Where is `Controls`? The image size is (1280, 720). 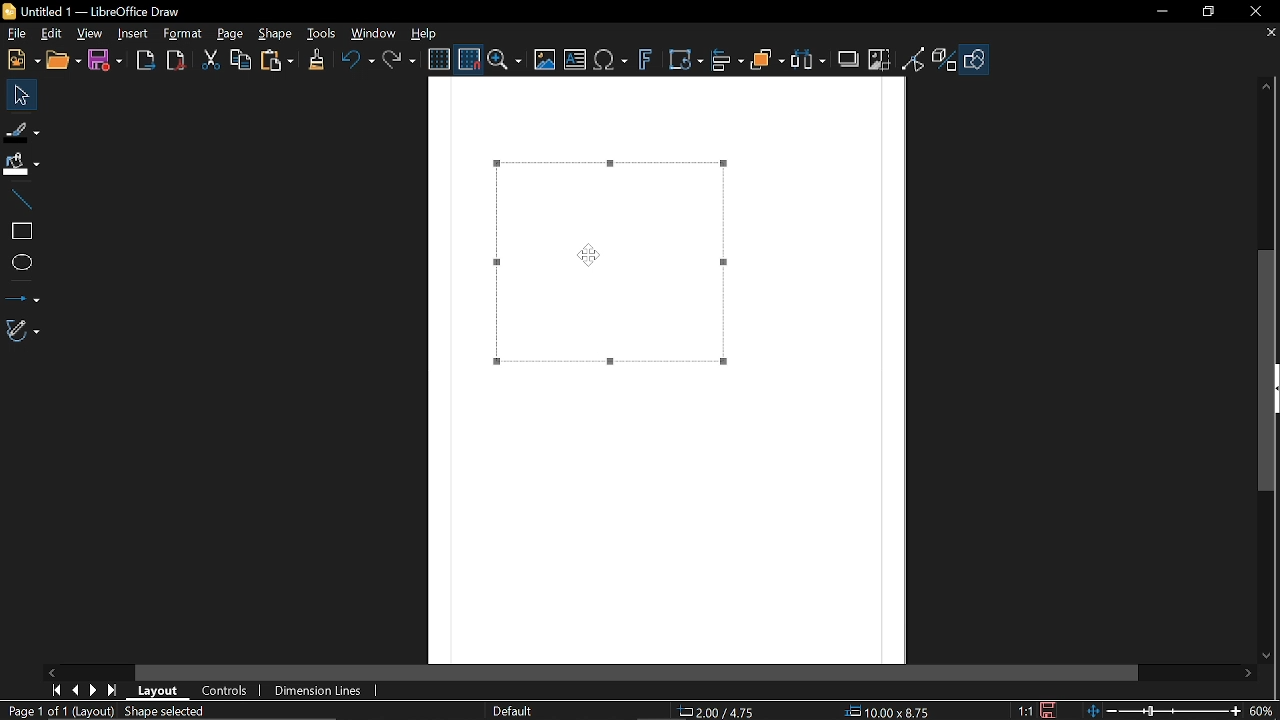
Controls is located at coordinates (225, 691).